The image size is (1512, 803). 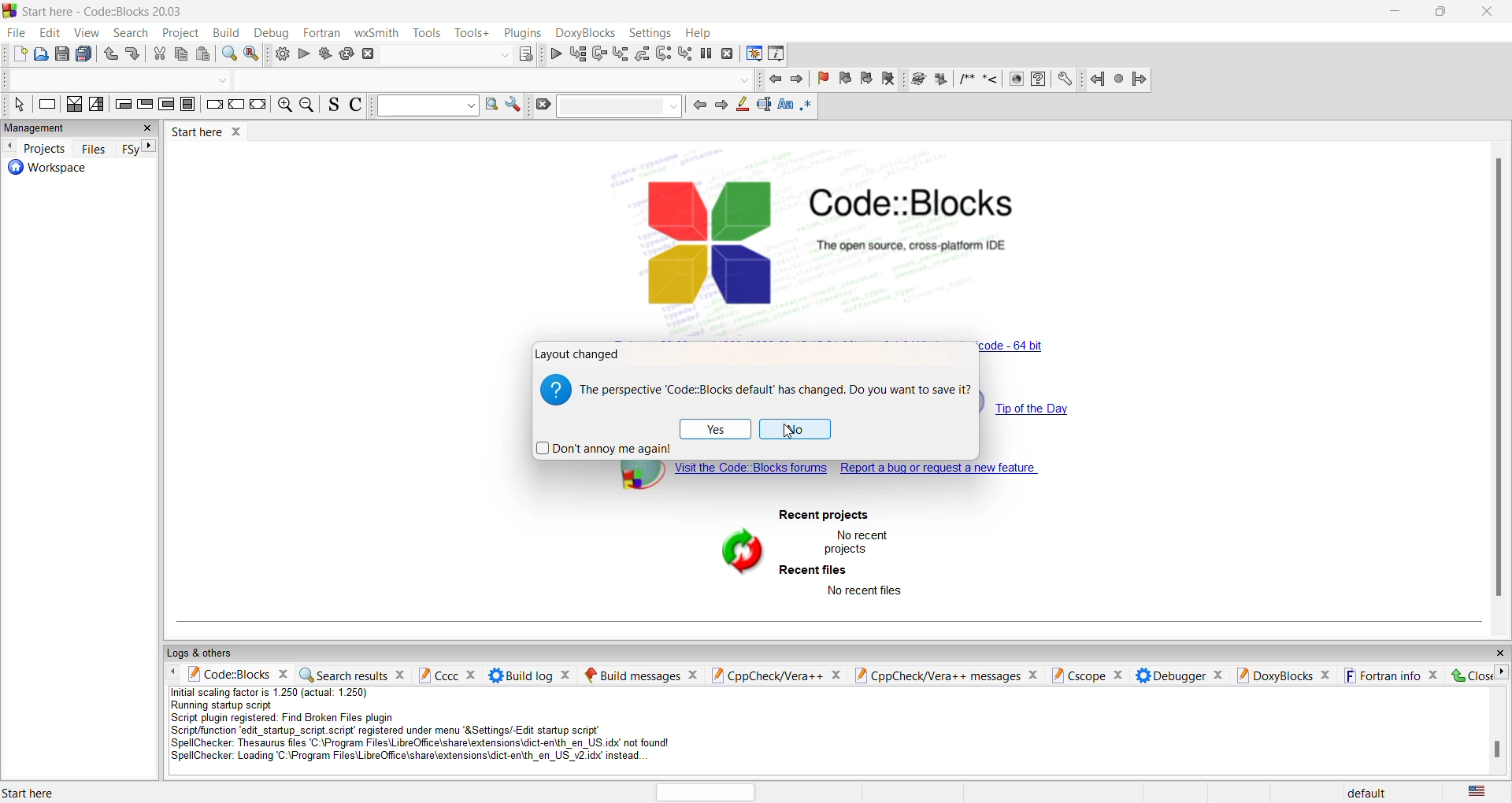 I want to click on logs and others, so click(x=207, y=653).